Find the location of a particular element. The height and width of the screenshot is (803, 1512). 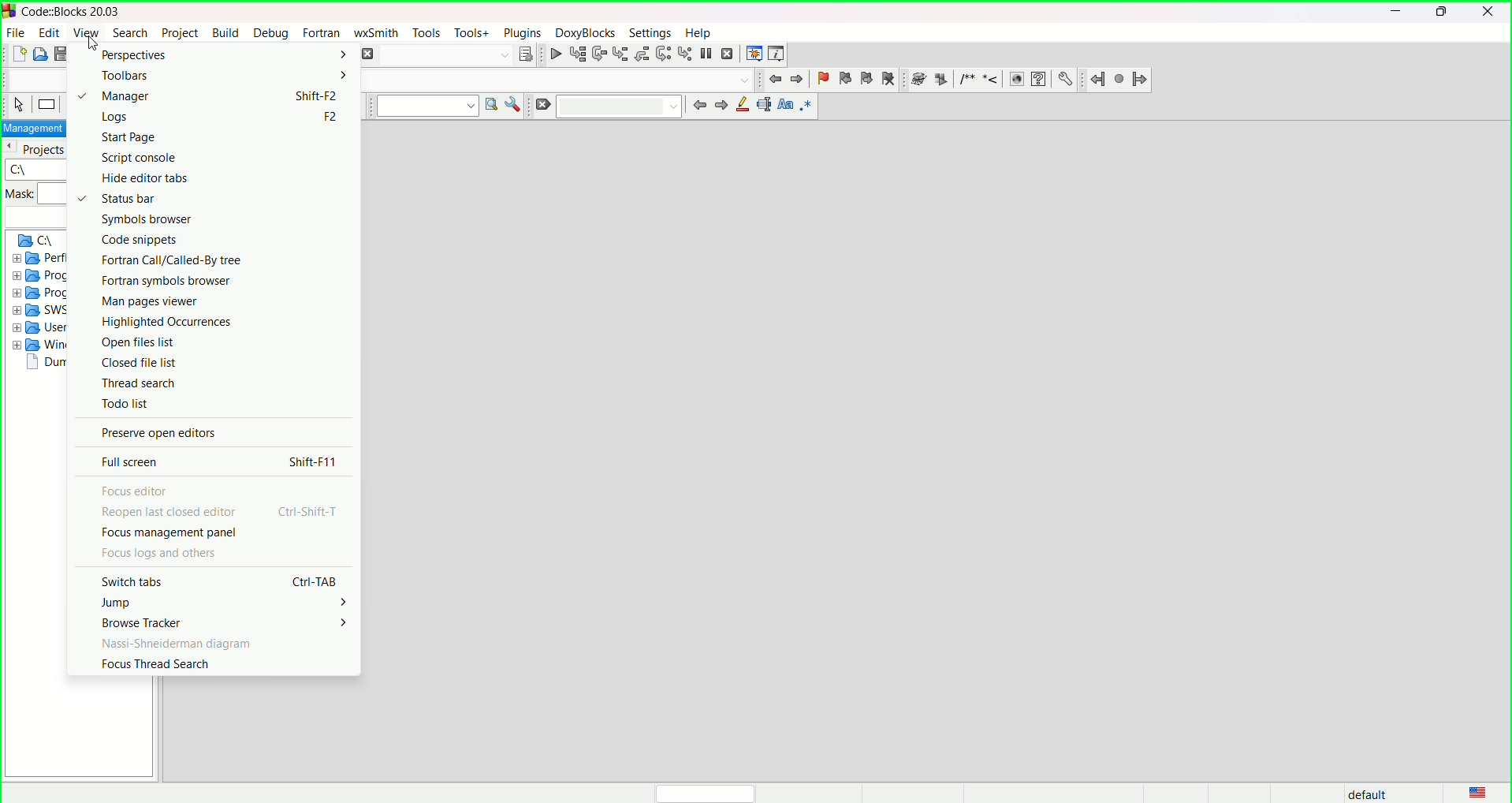

tools is located at coordinates (426, 32).